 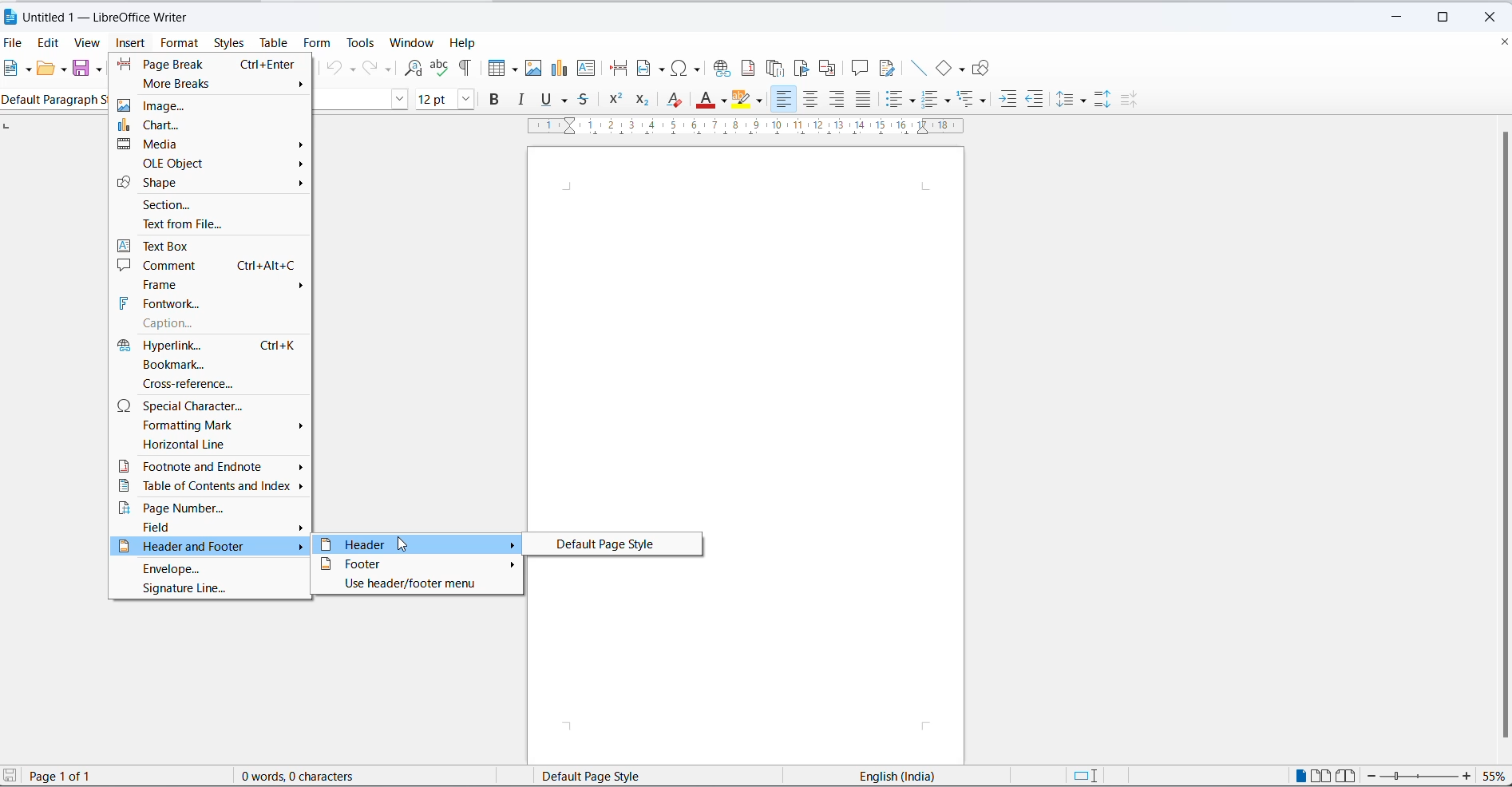 What do you see at coordinates (212, 326) in the screenshot?
I see `caption` at bounding box center [212, 326].